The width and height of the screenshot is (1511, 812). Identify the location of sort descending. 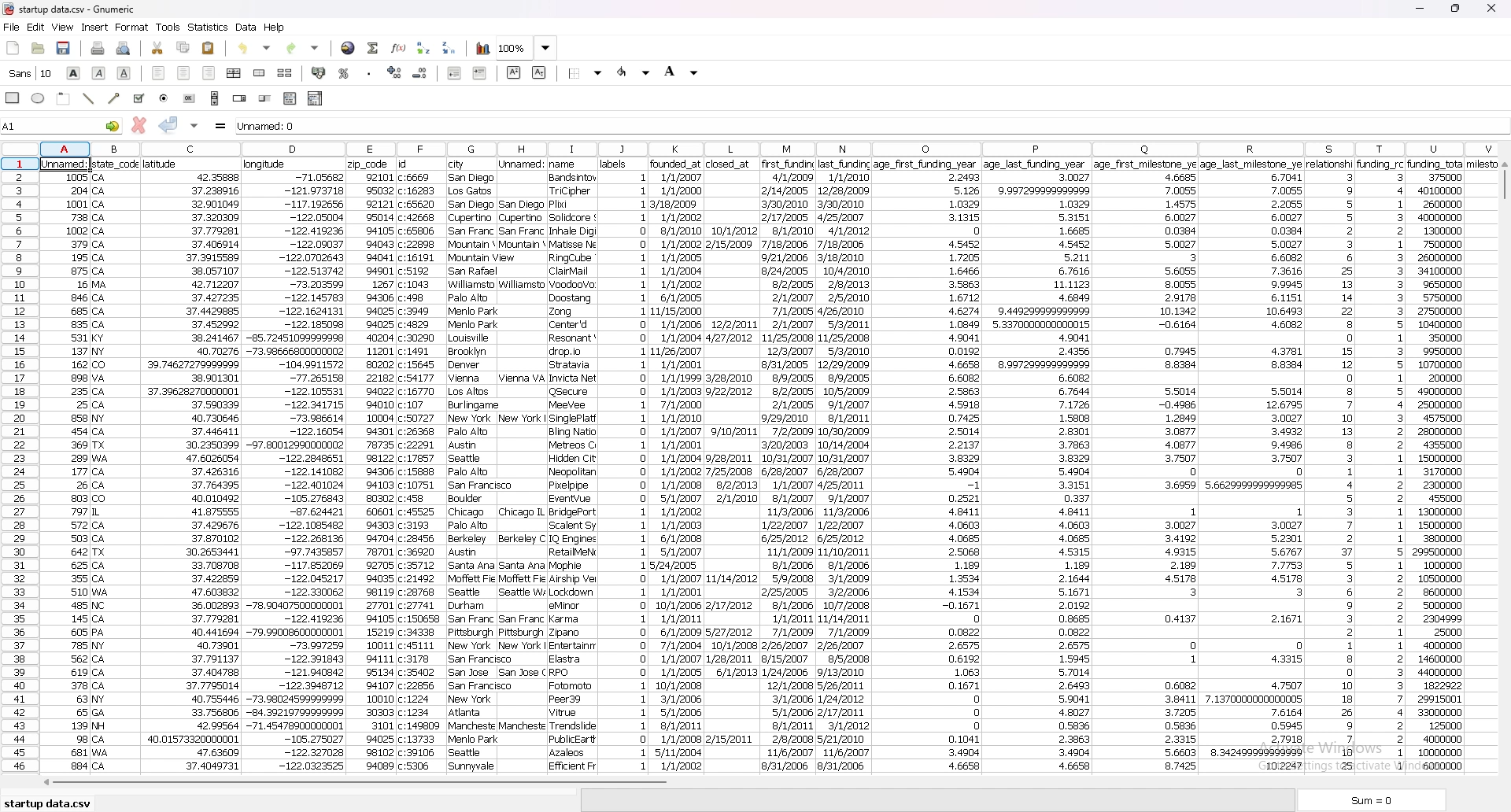
(450, 46).